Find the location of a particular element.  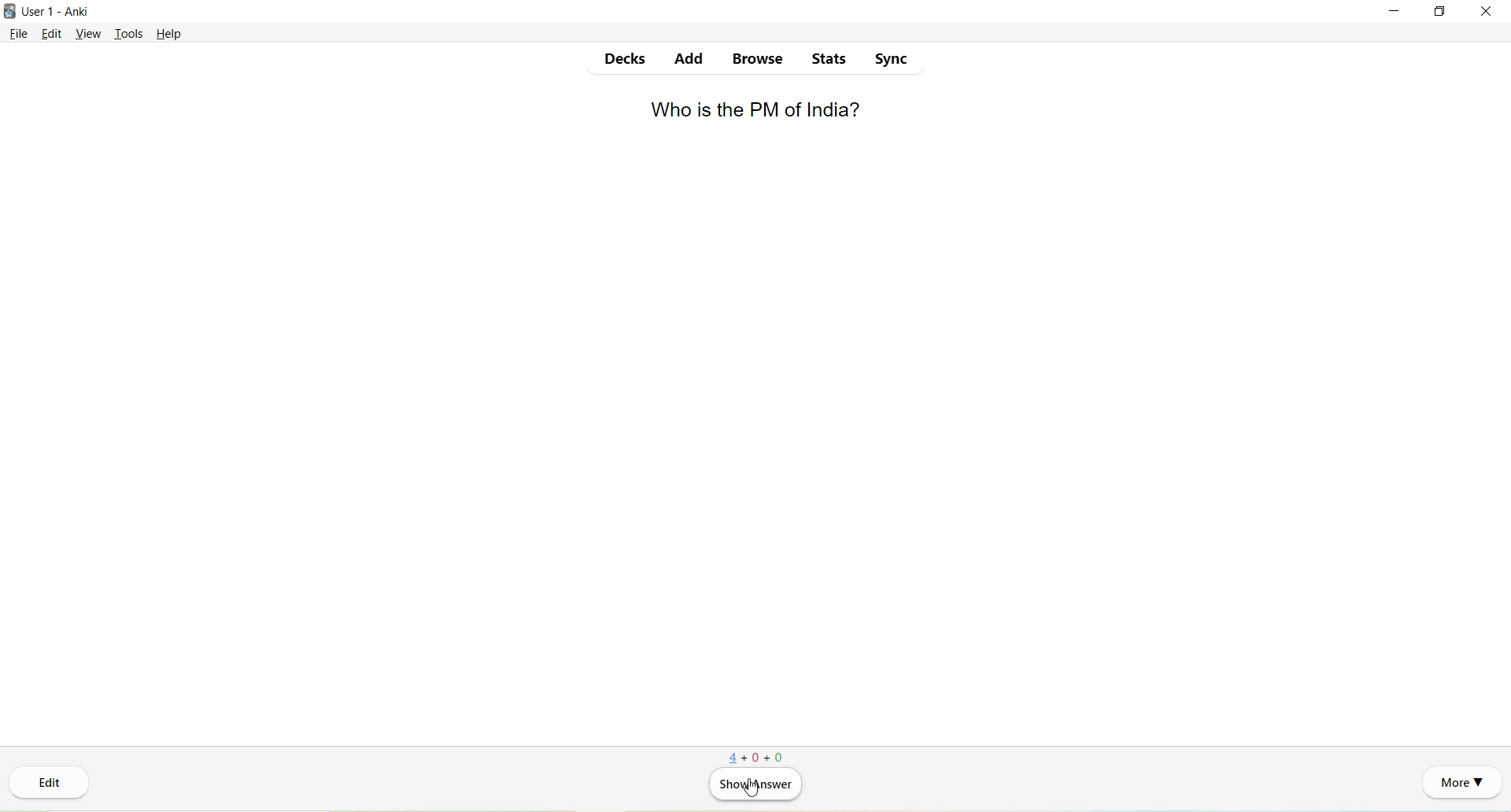

Edit is located at coordinates (54, 34).